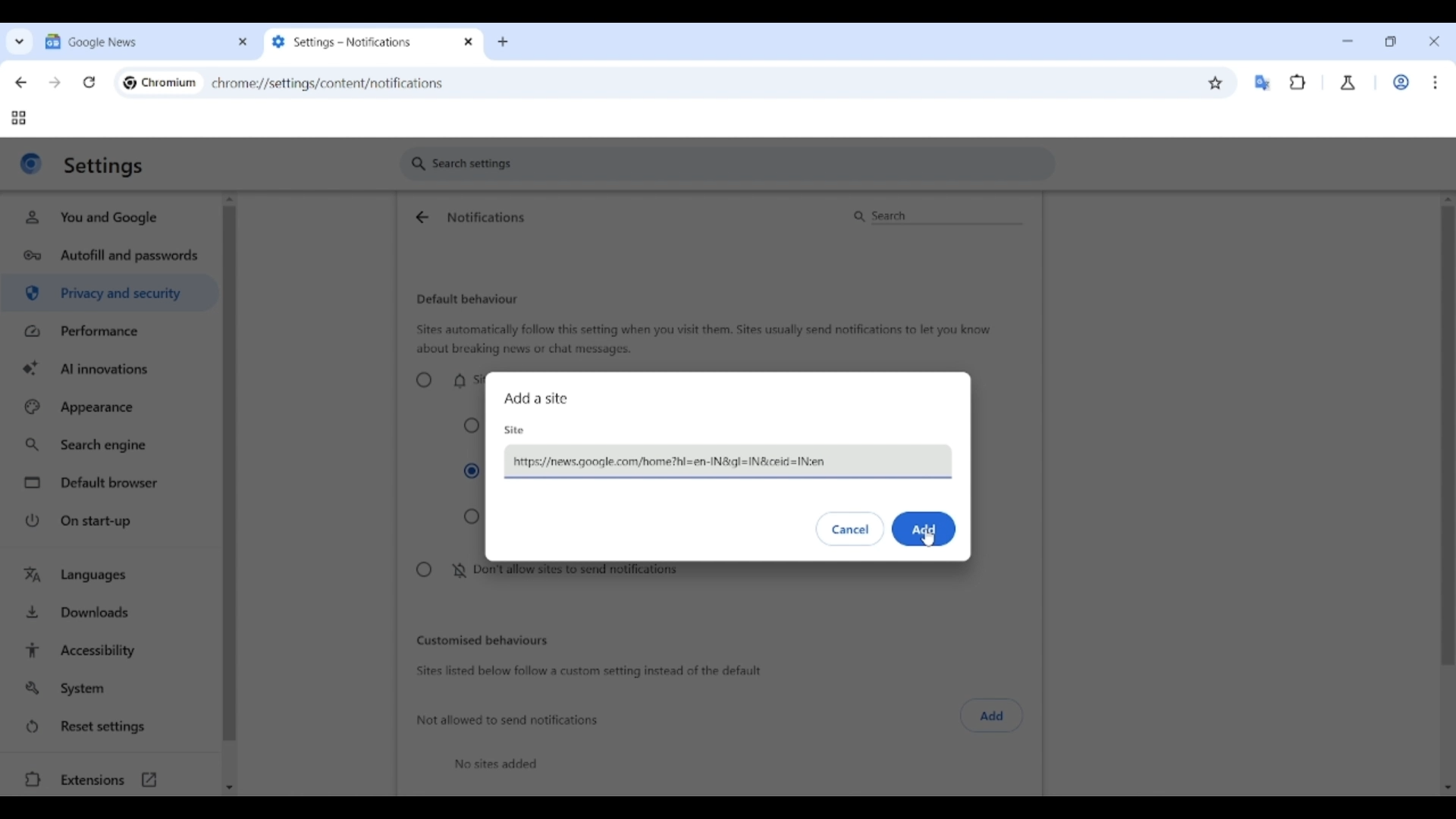 This screenshot has width=1456, height=819. I want to click on Downloads, so click(111, 610).